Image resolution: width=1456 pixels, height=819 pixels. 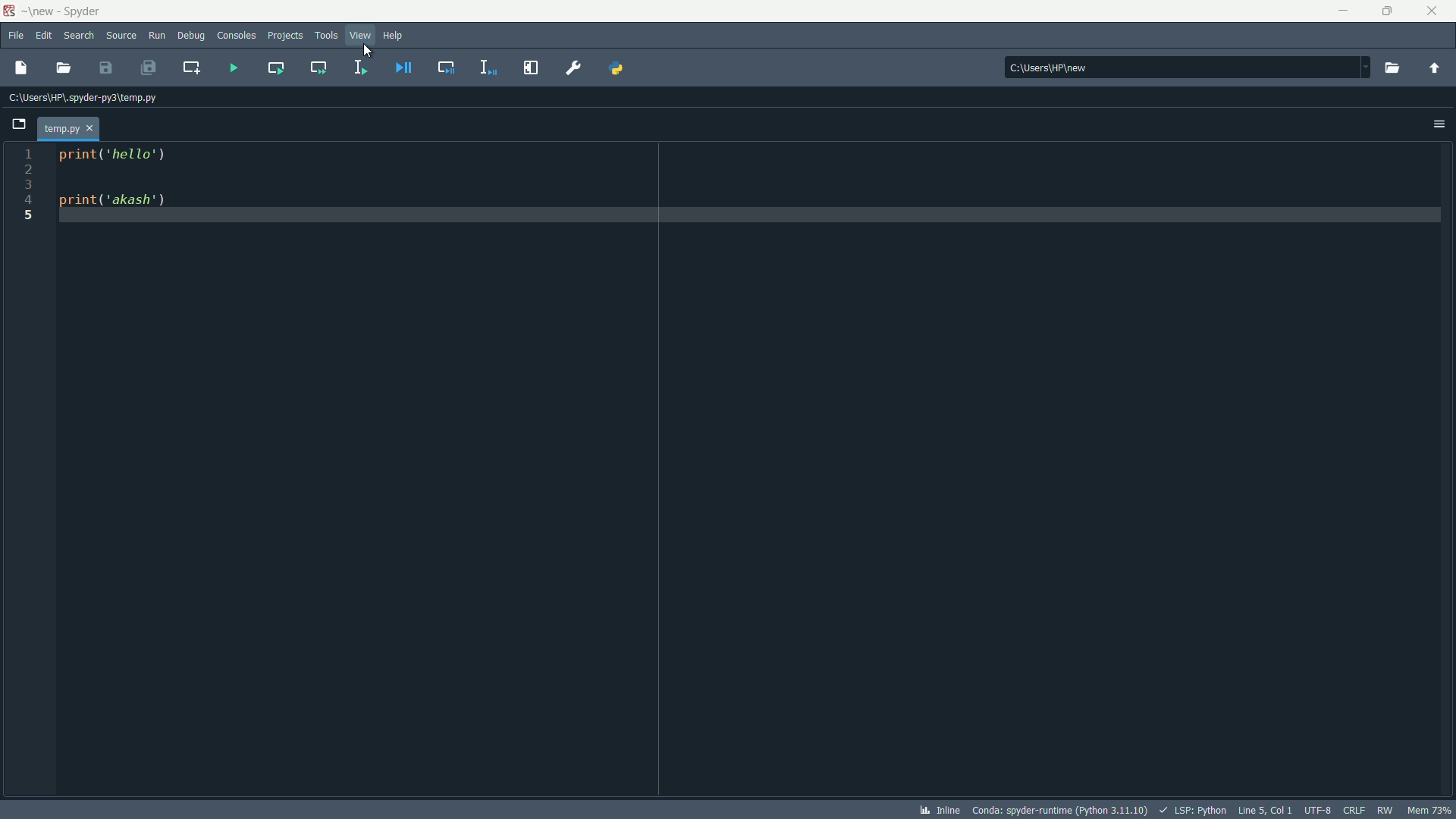 I want to click on cursor position, so click(x=1266, y=810).